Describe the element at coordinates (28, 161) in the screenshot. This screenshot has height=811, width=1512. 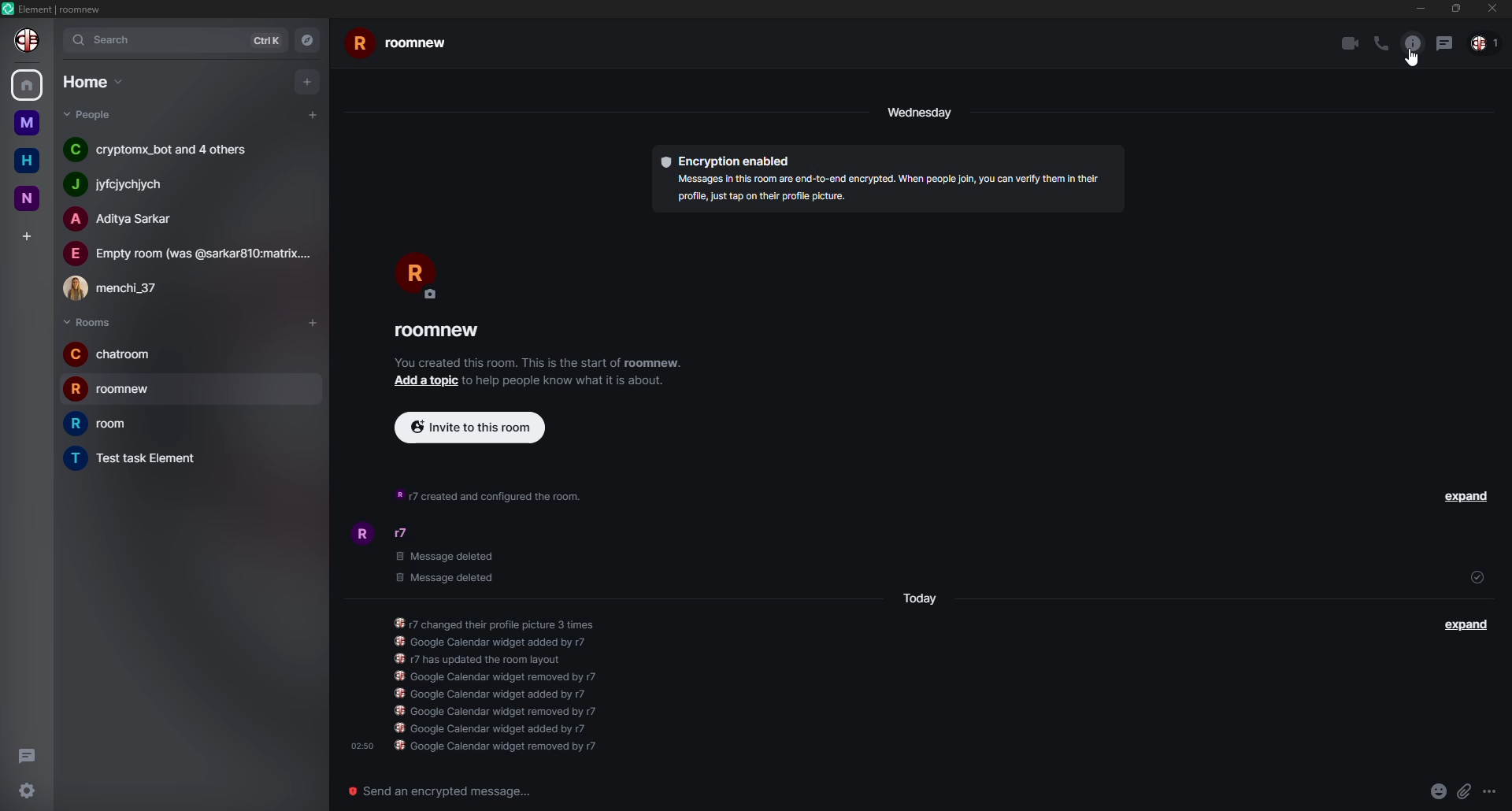
I see `home` at that location.